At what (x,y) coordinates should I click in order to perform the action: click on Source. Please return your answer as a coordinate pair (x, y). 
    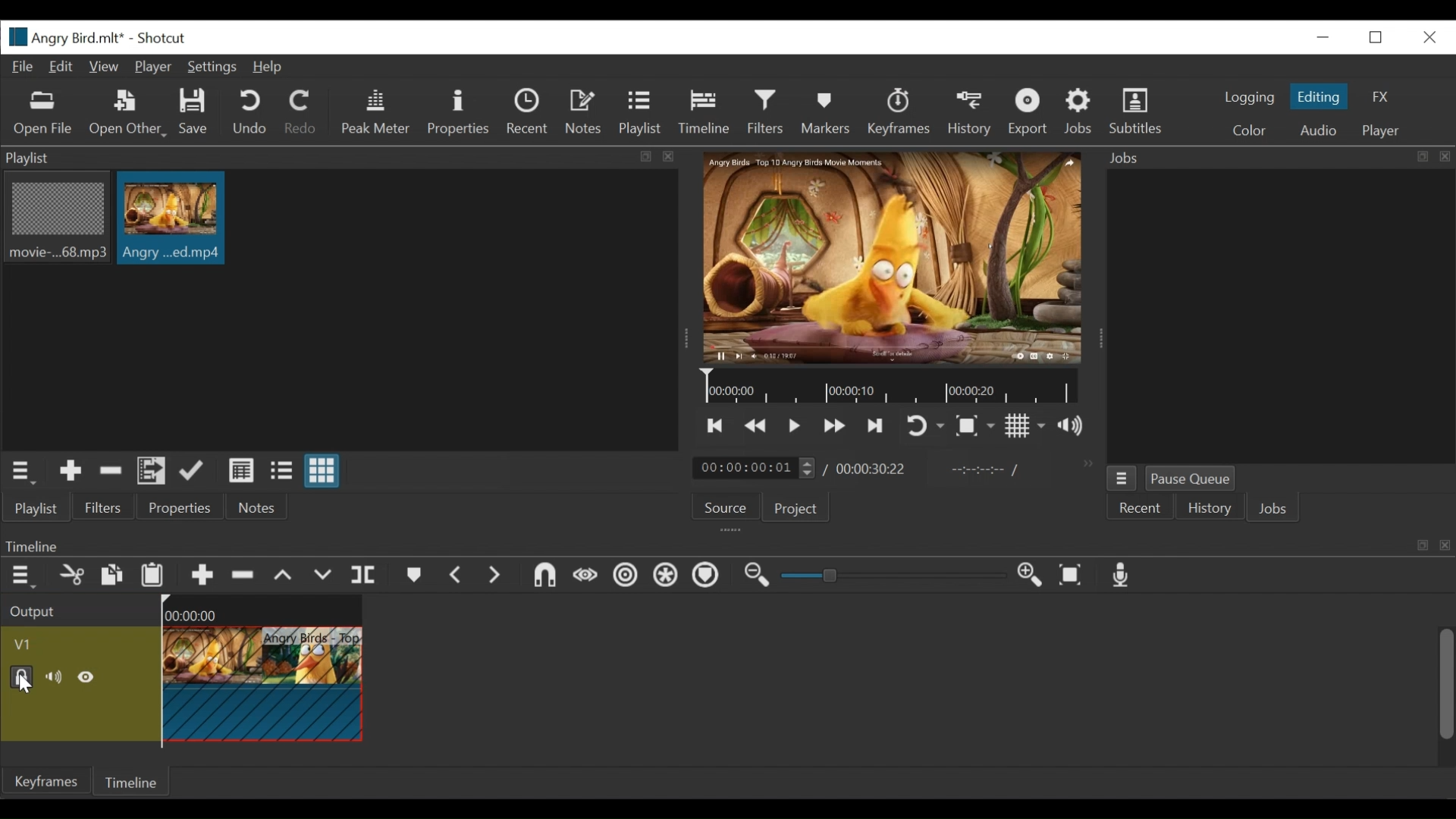
    Looking at the image, I should click on (726, 505).